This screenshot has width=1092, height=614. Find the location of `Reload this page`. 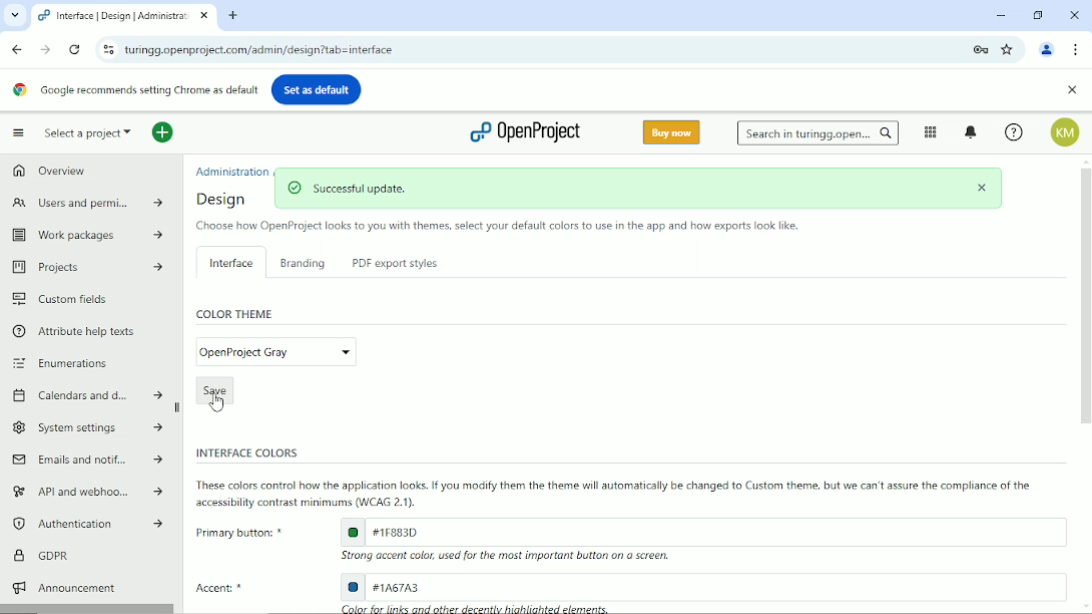

Reload this page is located at coordinates (74, 50).